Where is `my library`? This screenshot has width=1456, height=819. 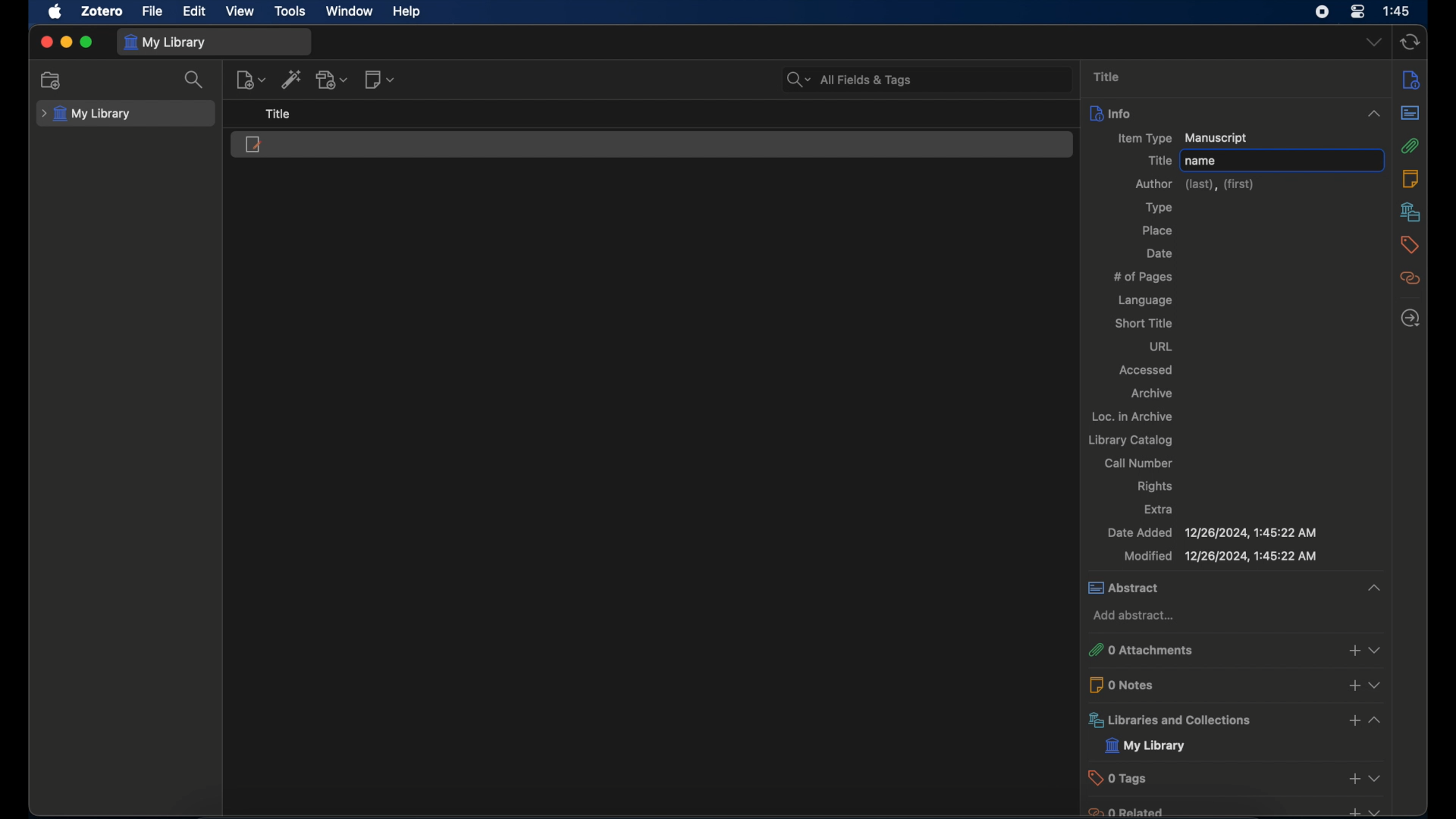 my library is located at coordinates (86, 115).